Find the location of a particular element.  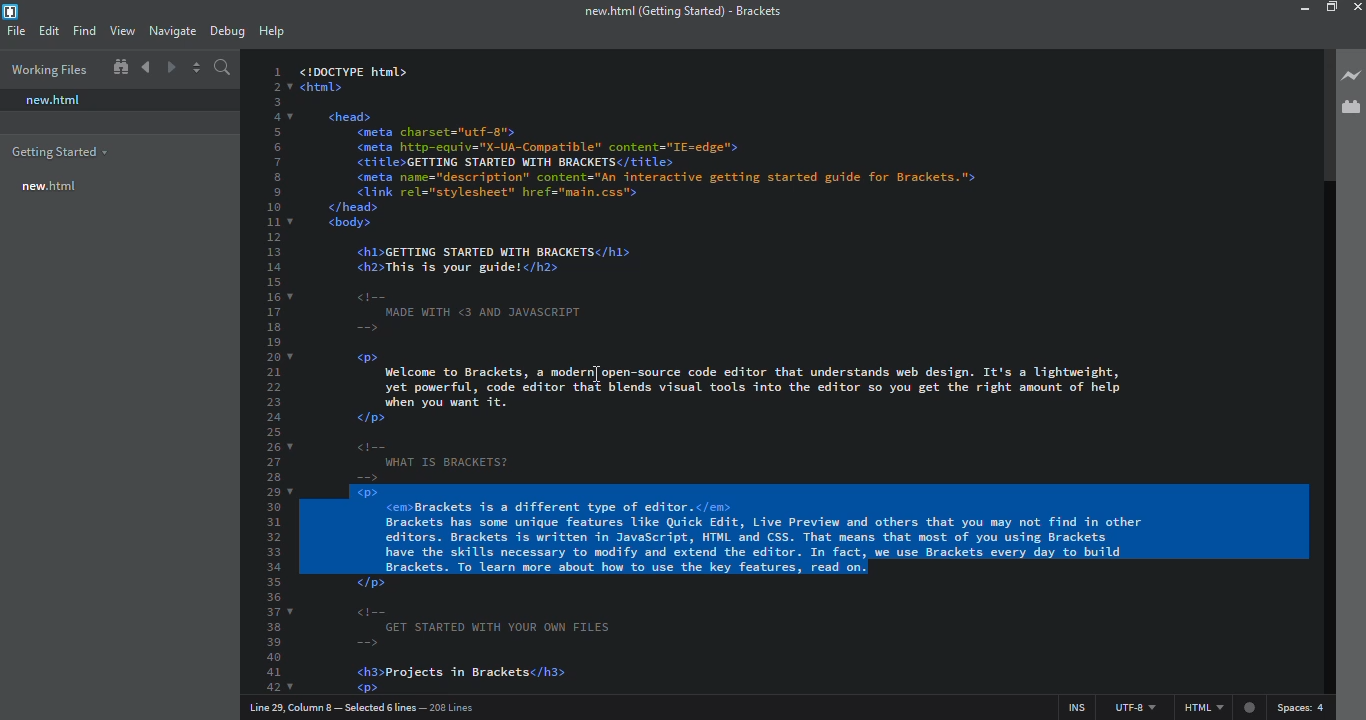

minimize is located at coordinates (1296, 10).